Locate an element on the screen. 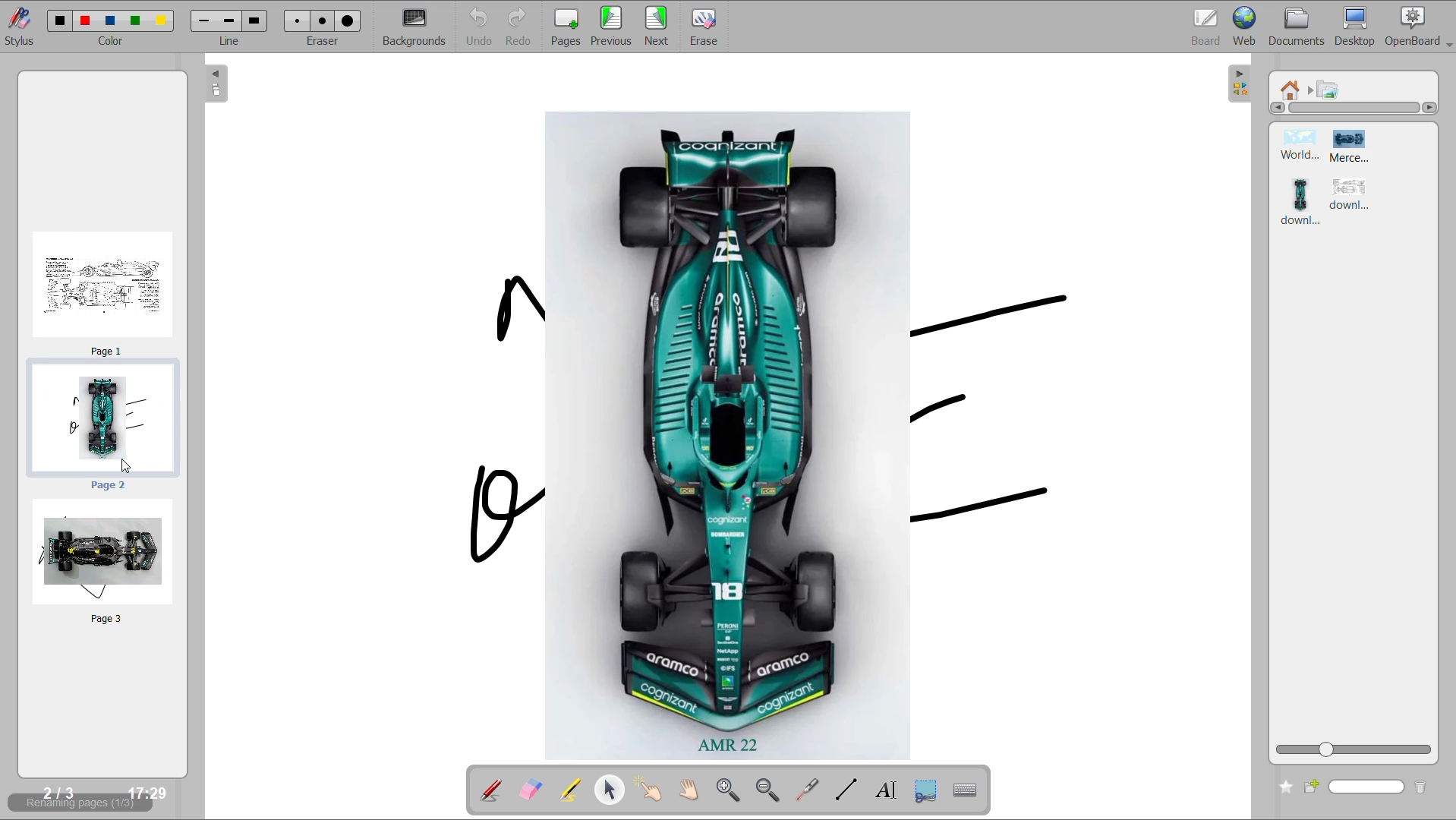 The height and width of the screenshot is (820, 1456). desktop is located at coordinates (1359, 27).